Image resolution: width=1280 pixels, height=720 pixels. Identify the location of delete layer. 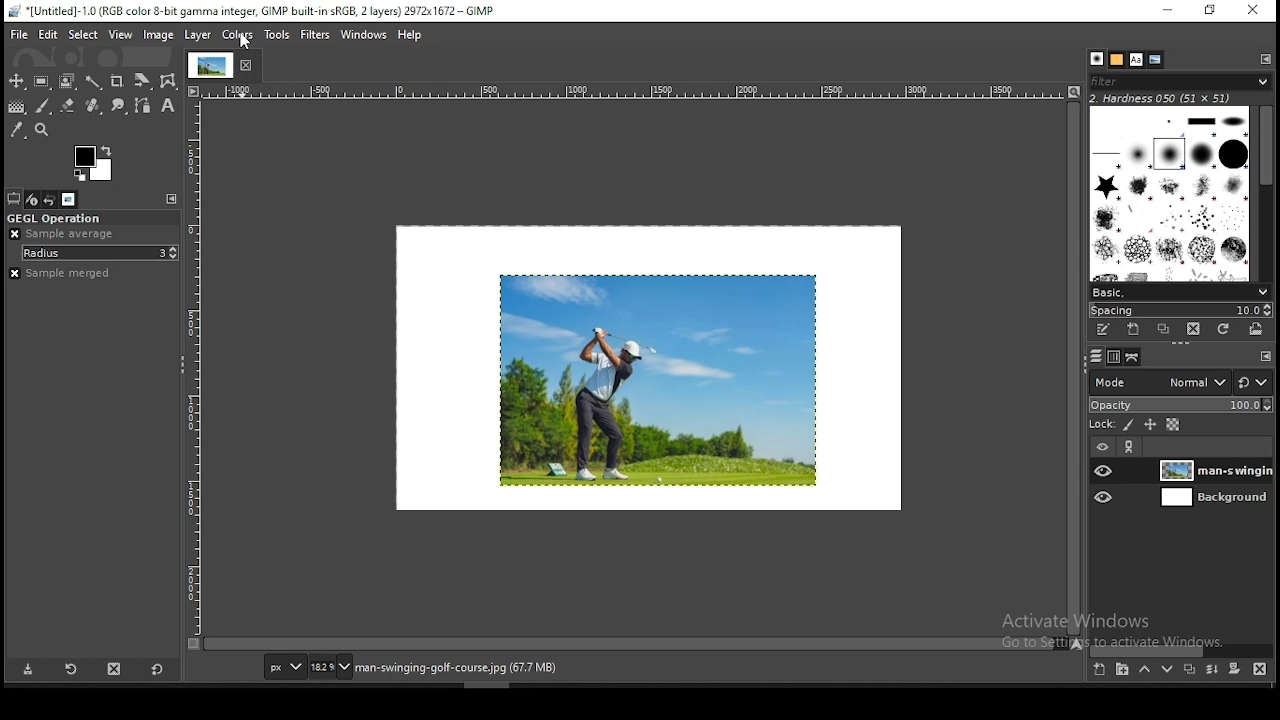
(1260, 670).